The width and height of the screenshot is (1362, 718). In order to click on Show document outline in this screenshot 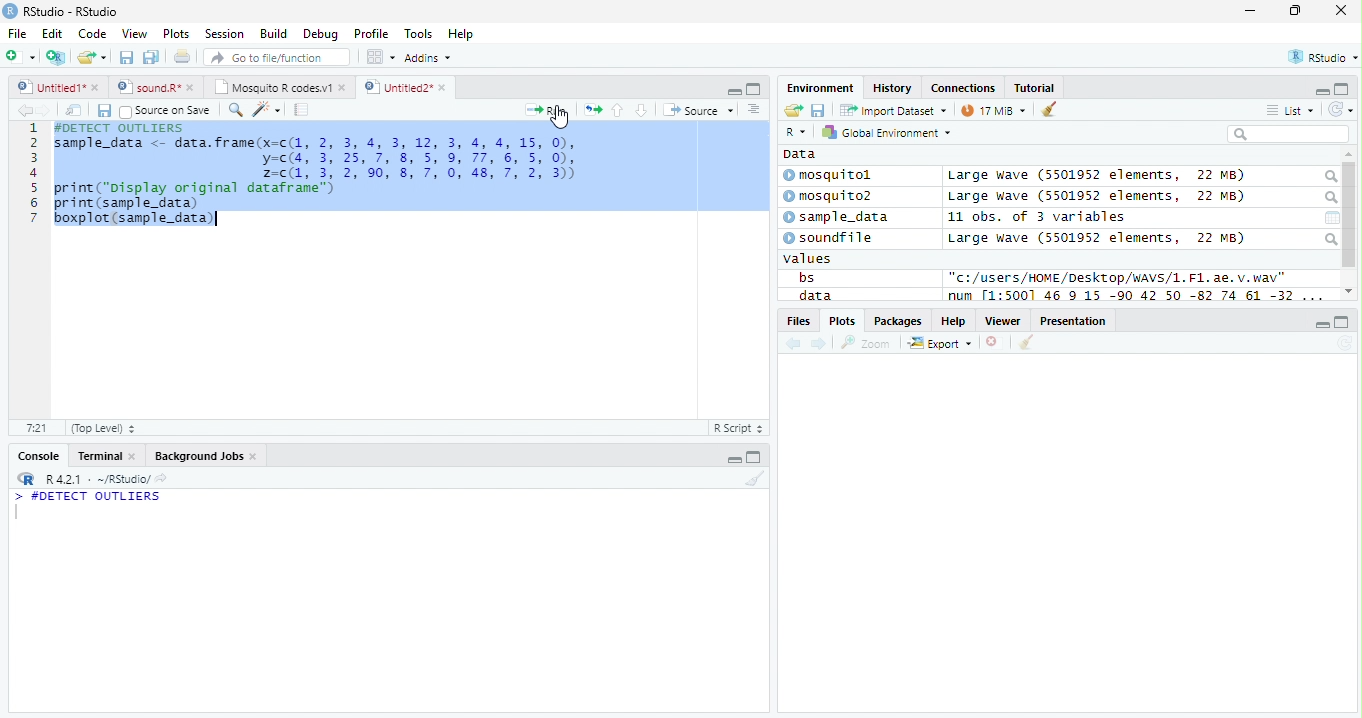, I will do `click(753, 109)`.